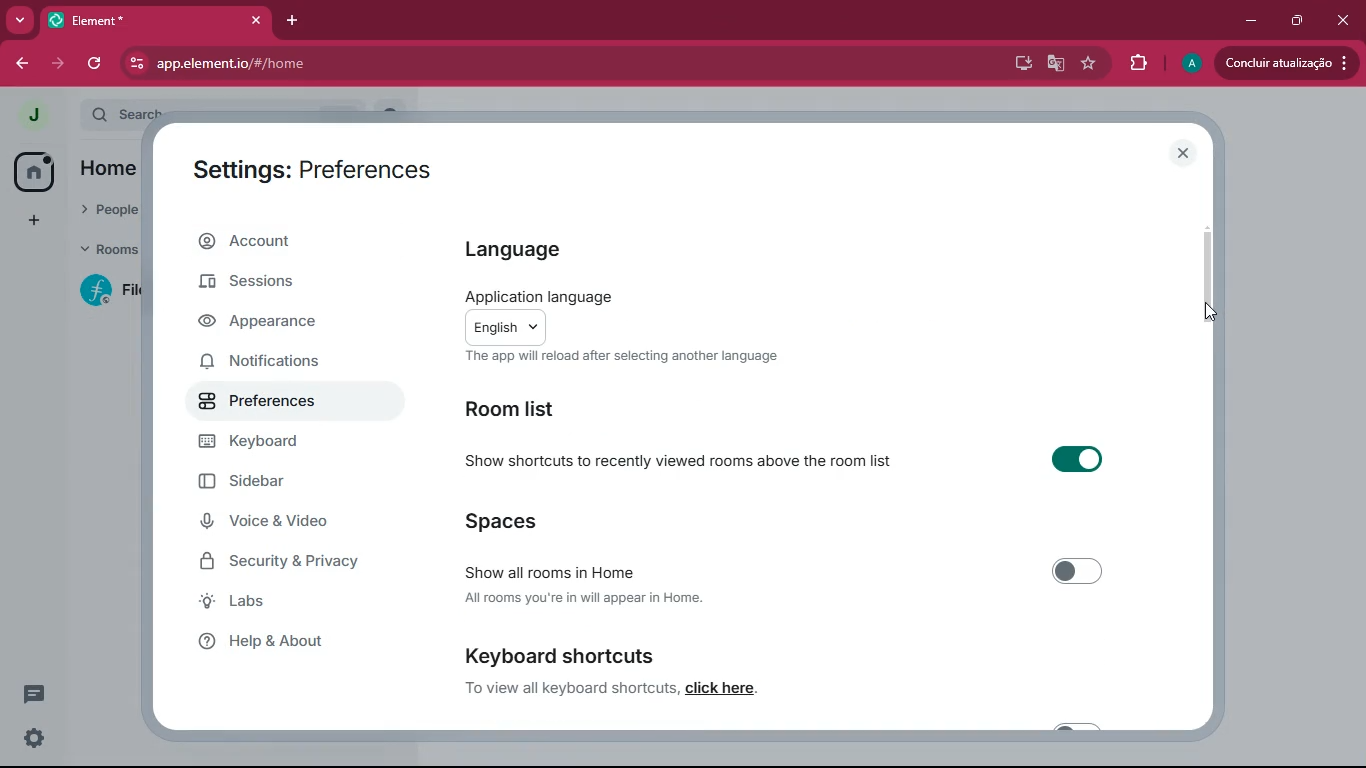 This screenshot has height=768, width=1366. I want to click on settings : preferences, so click(325, 168).